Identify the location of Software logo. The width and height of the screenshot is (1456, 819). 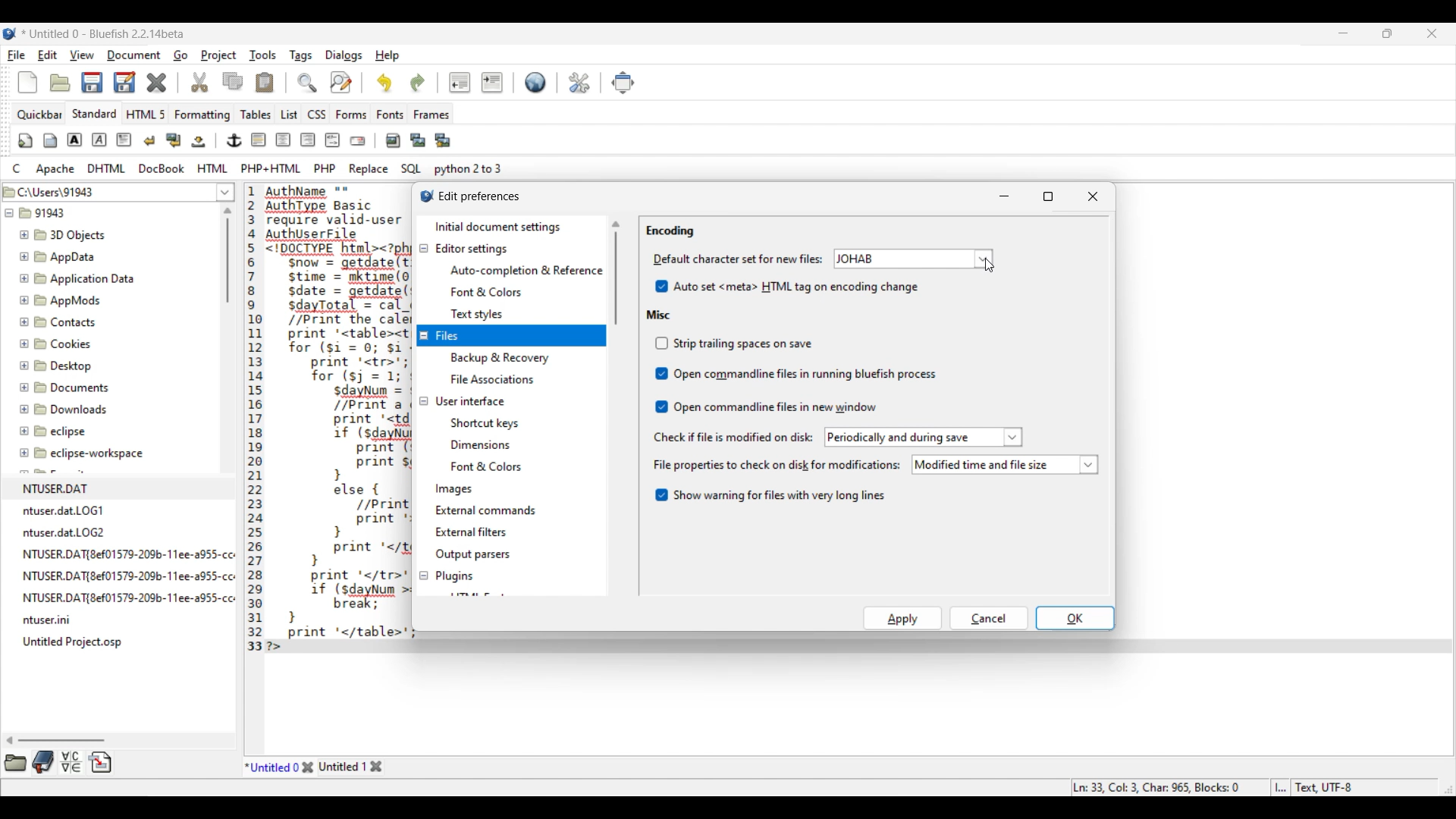
(10, 33).